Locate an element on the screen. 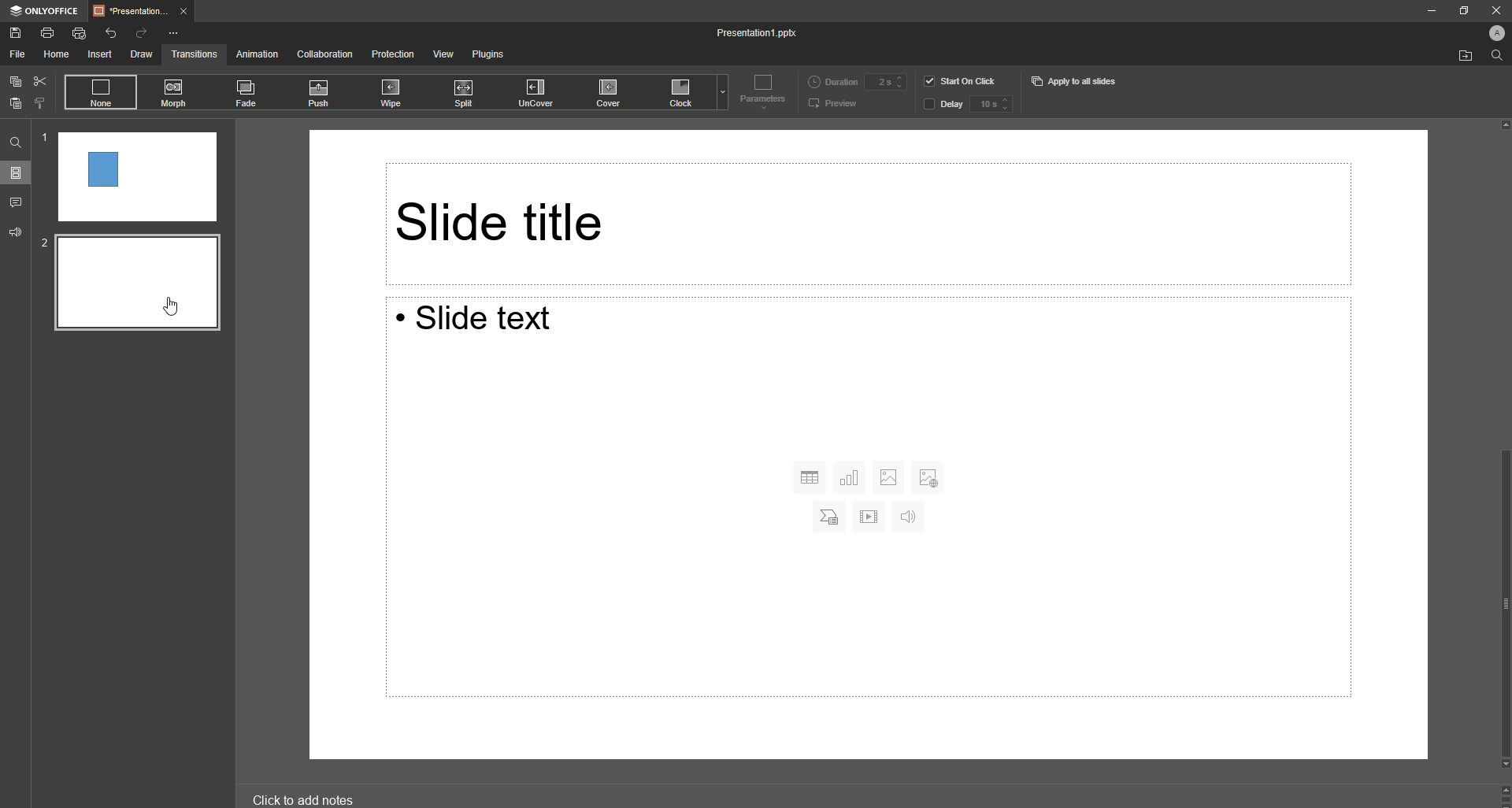 This screenshot has height=808, width=1512. View is located at coordinates (443, 54).